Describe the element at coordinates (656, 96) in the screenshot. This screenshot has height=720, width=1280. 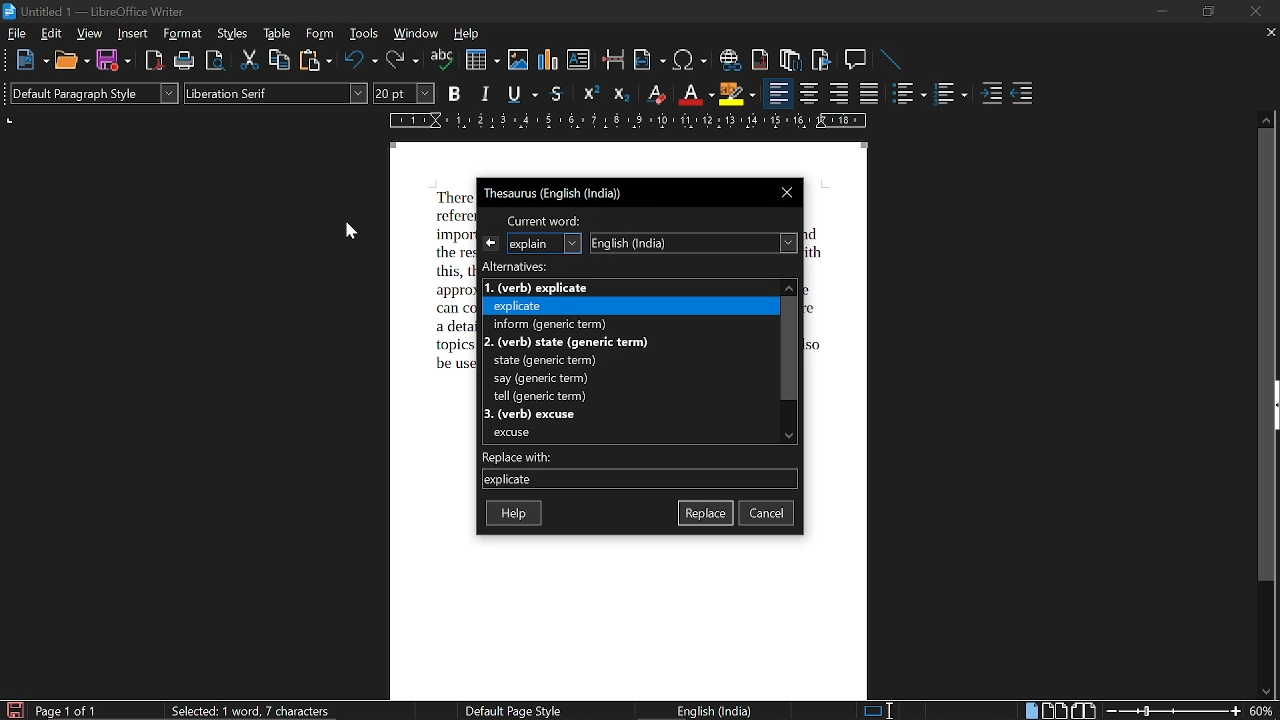
I see `eraser` at that location.